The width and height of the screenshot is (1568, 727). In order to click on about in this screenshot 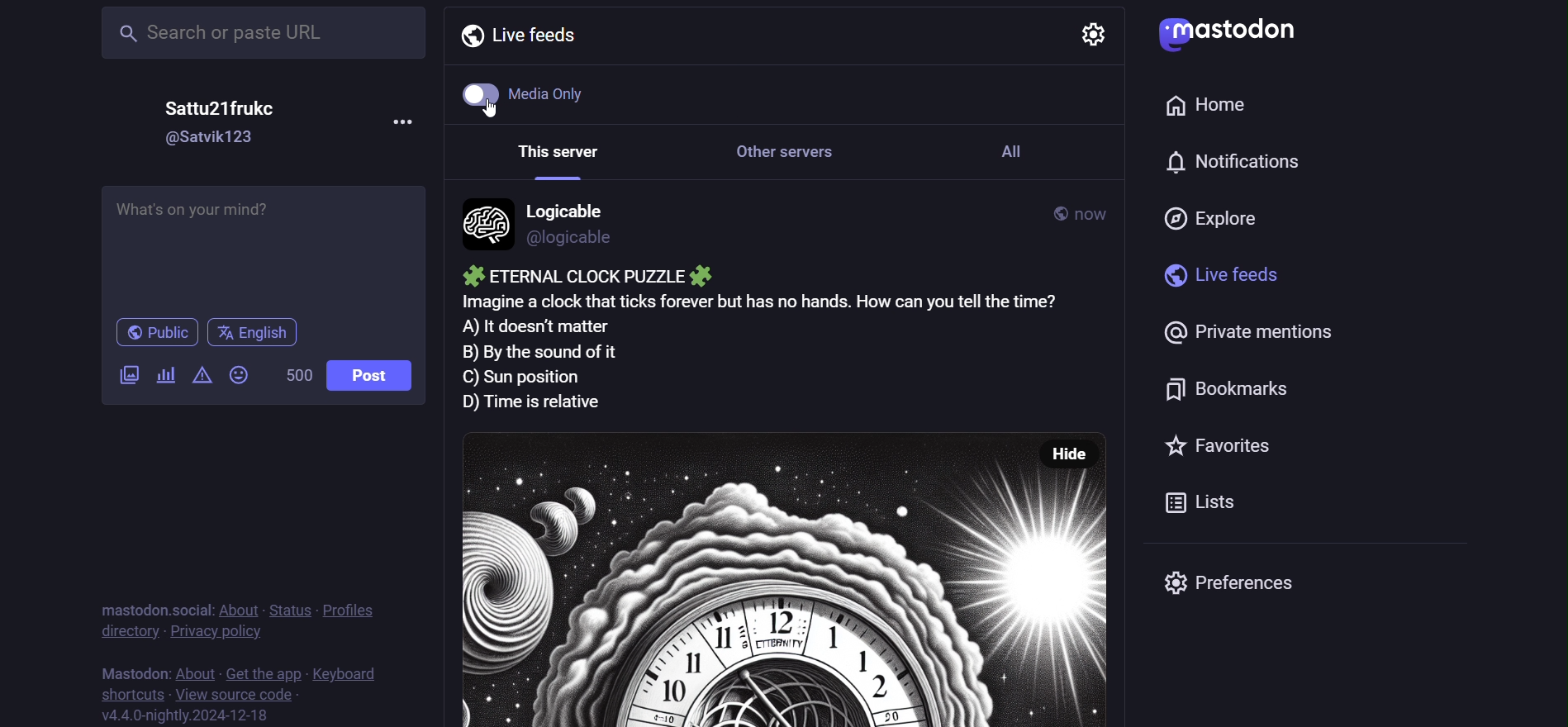, I will do `click(239, 611)`.